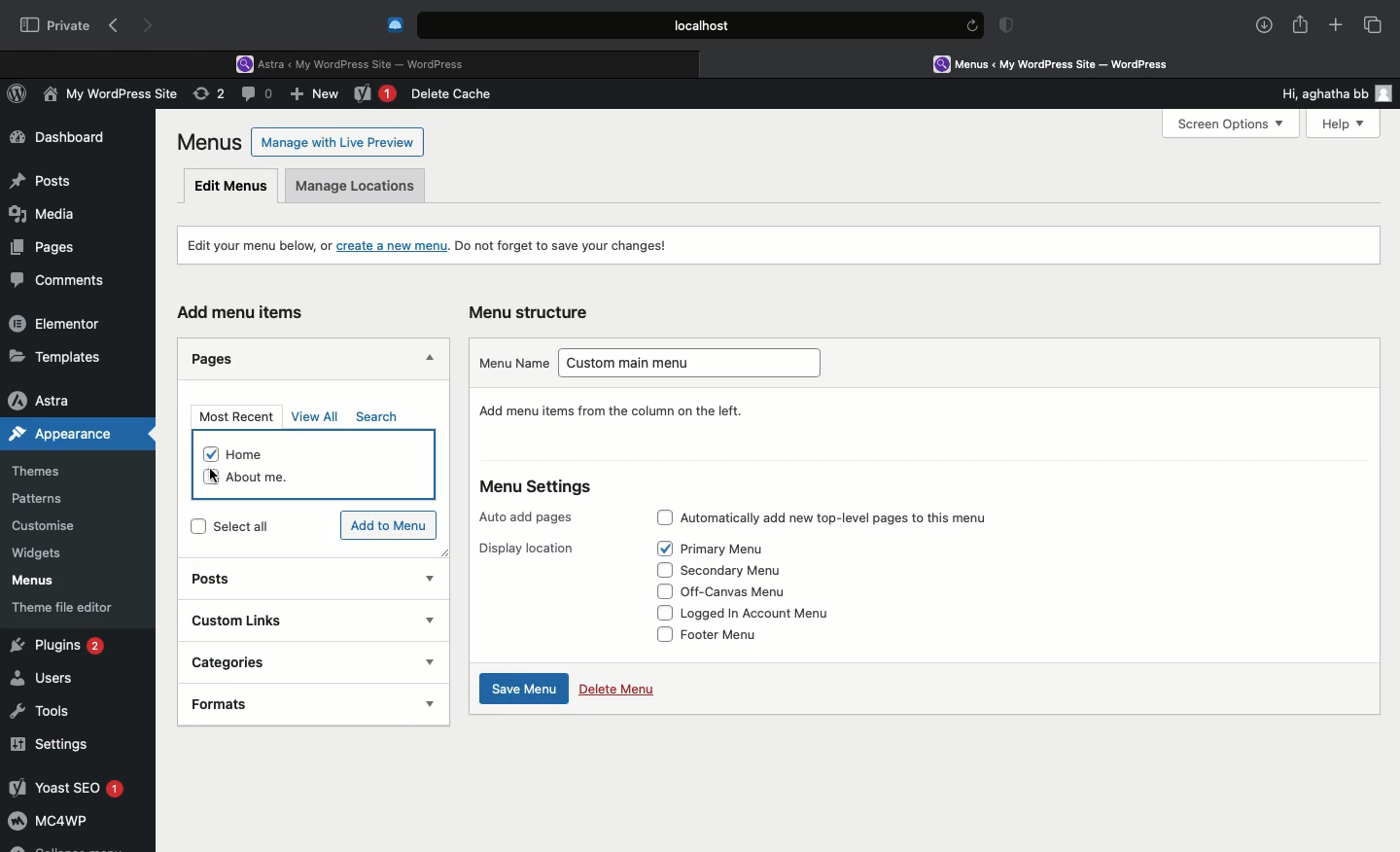  What do you see at coordinates (39, 553) in the screenshot?
I see `Widgets` at bounding box center [39, 553].